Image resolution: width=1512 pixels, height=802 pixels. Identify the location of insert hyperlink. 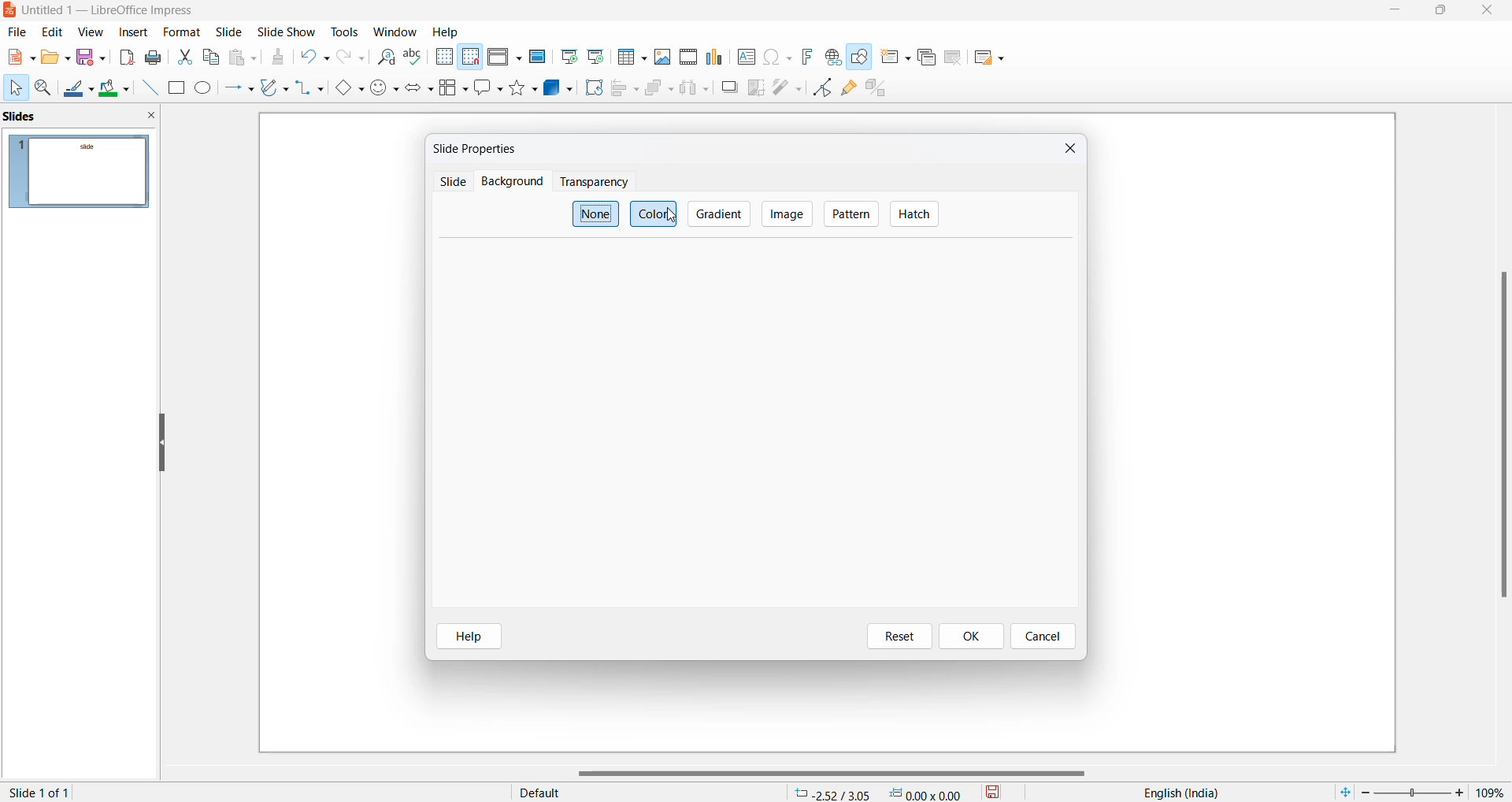
(832, 57).